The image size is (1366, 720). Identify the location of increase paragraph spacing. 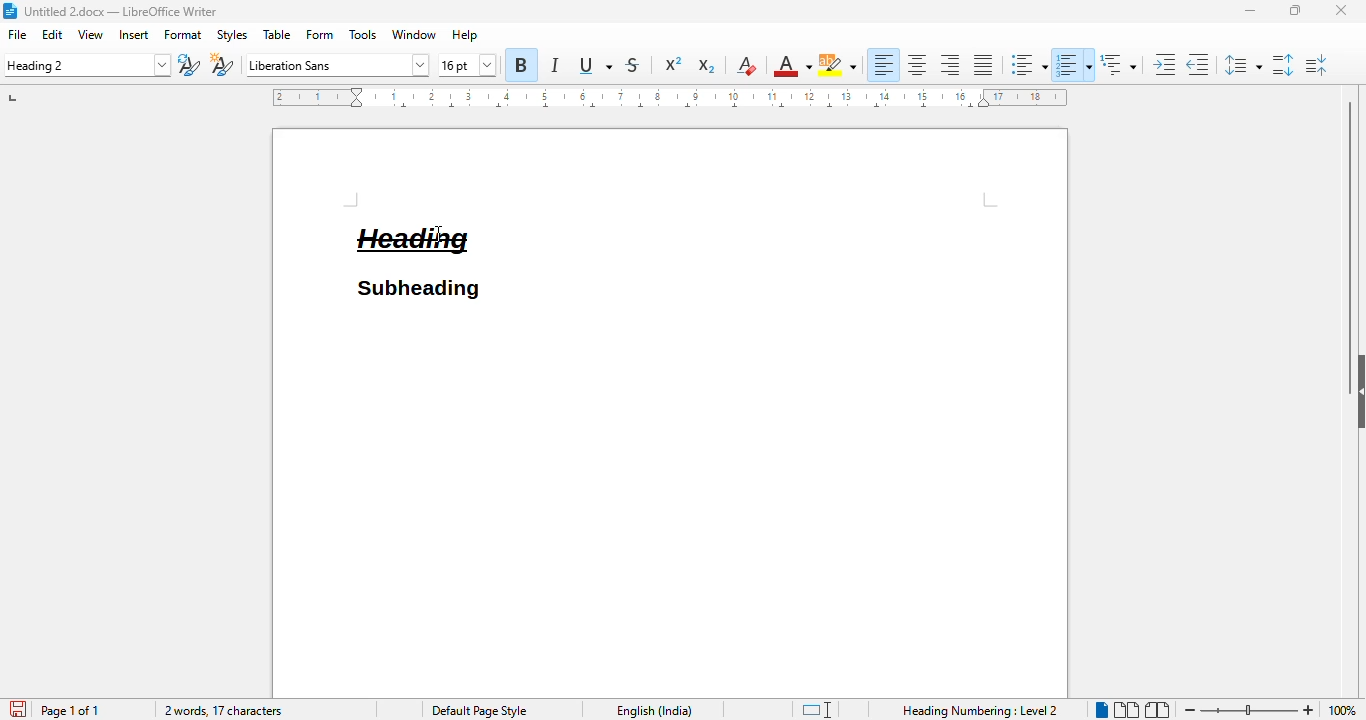
(1283, 64).